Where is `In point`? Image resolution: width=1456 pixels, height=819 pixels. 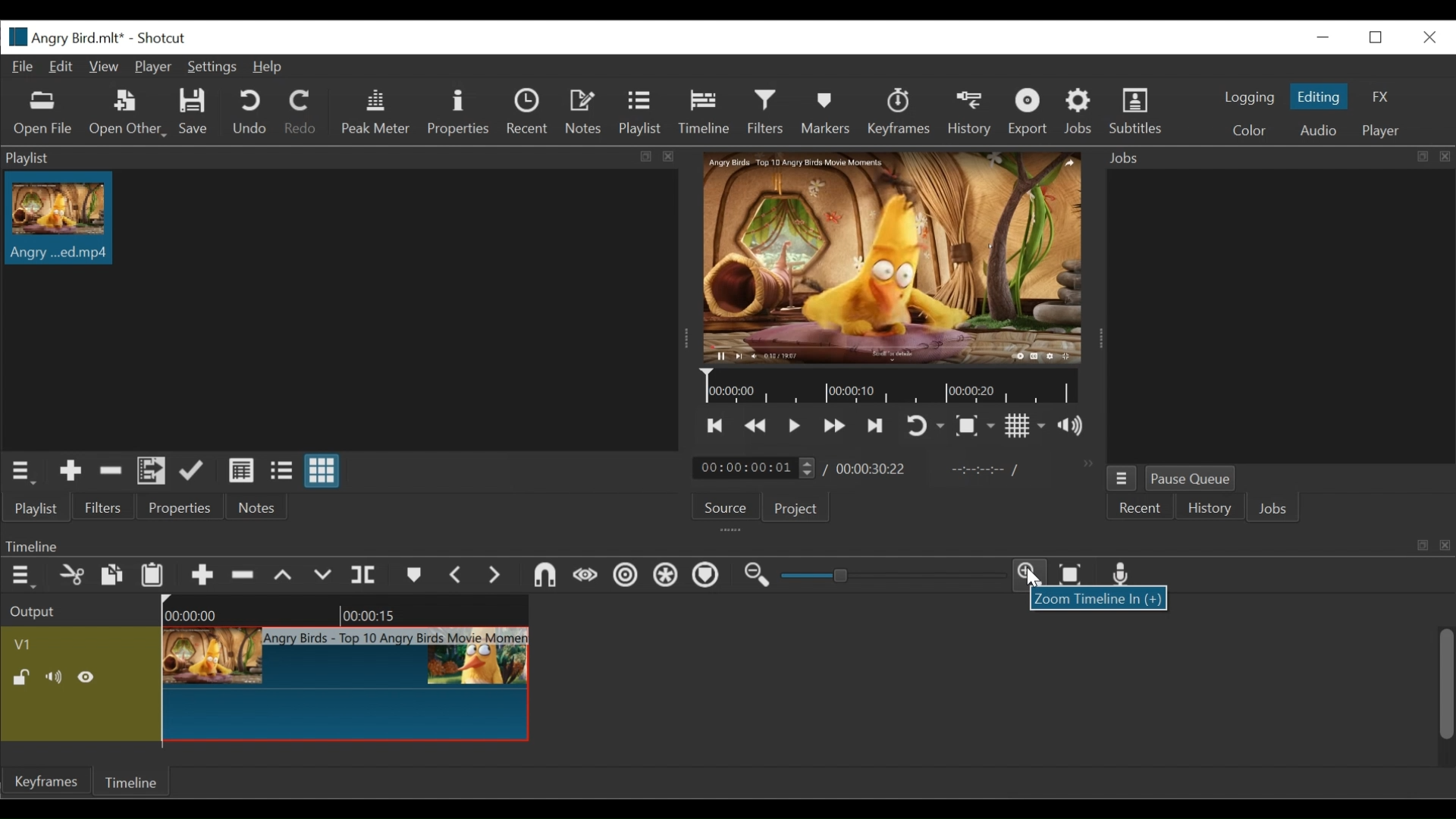 In point is located at coordinates (984, 469).